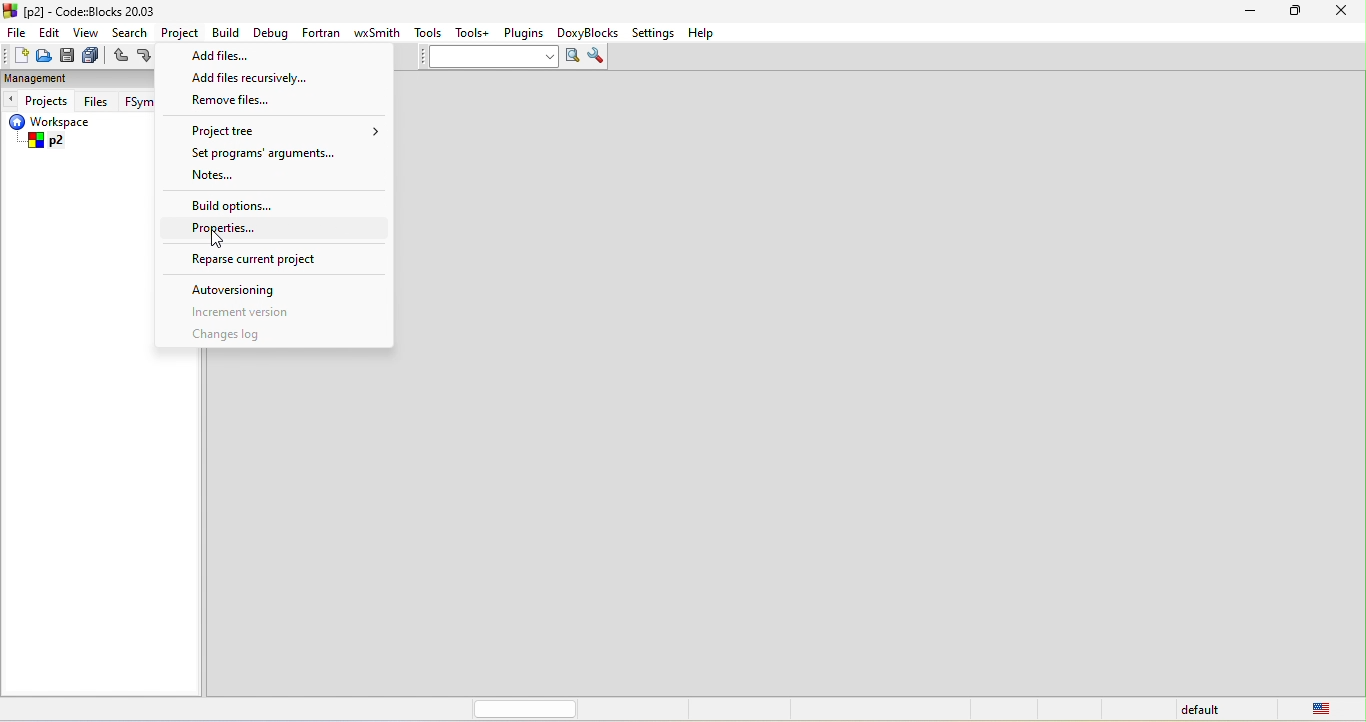  I want to click on cursor, so click(223, 241).